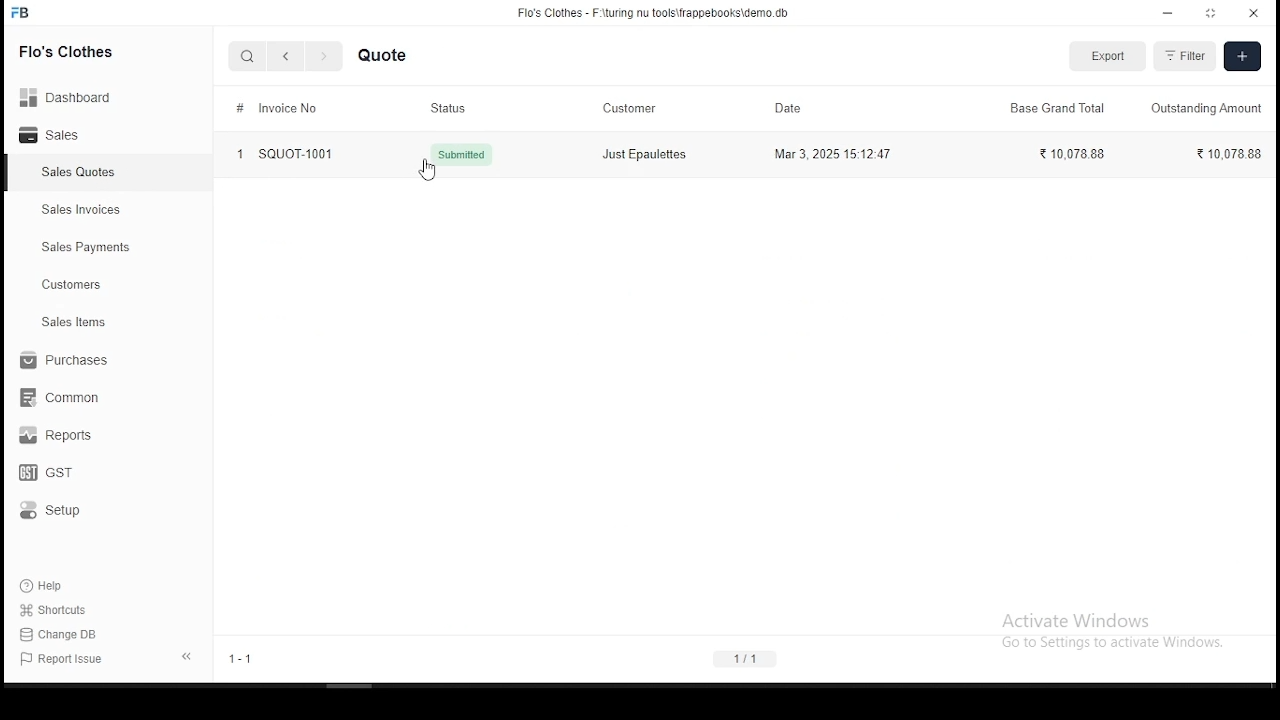 Image resolution: width=1280 pixels, height=720 pixels. I want to click on invoice flow, so click(274, 110).